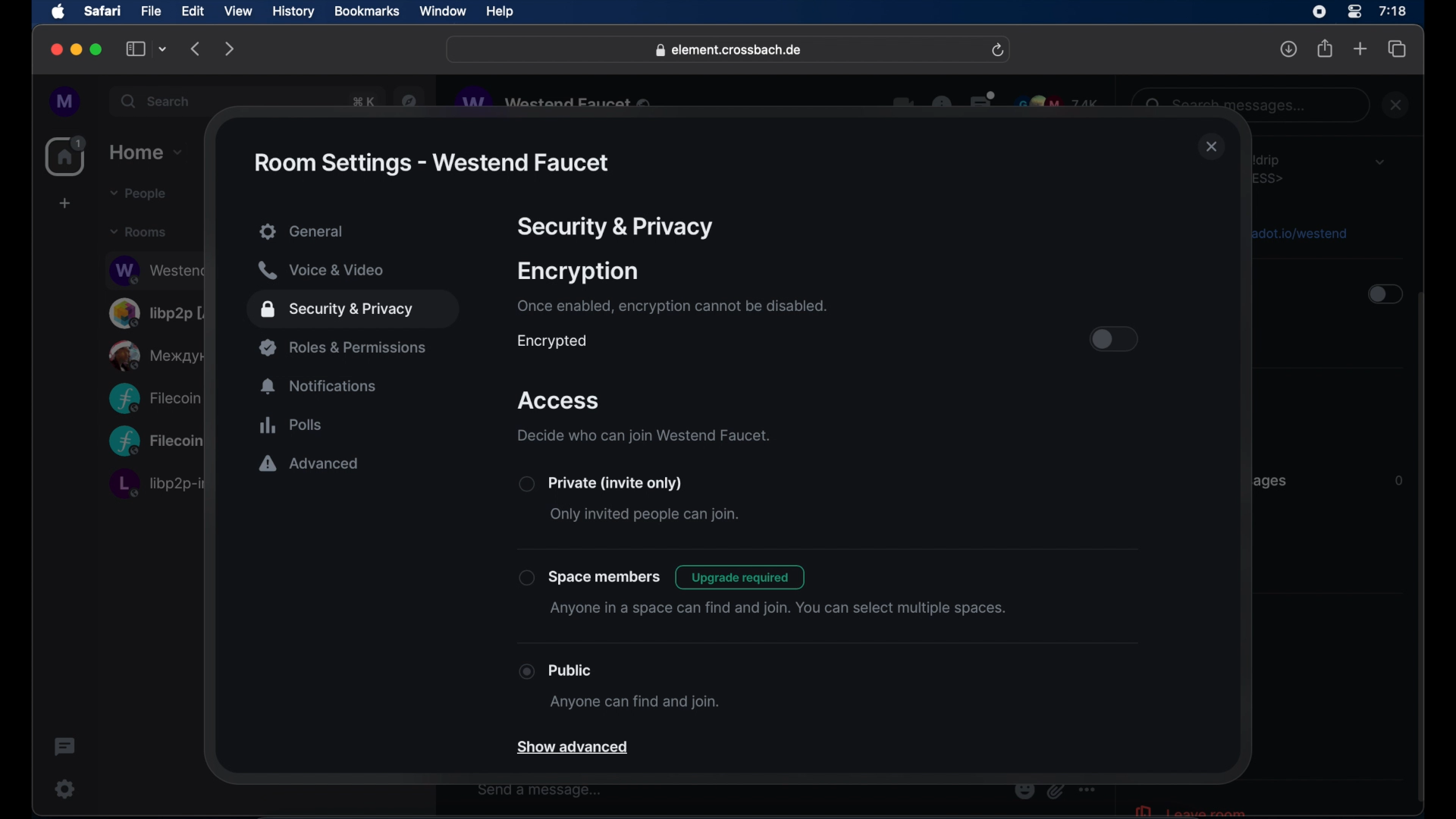 The image size is (1456, 819). Describe the element at coordinates (615, 227) in the screenshot. I see `security & privacy` at that location.